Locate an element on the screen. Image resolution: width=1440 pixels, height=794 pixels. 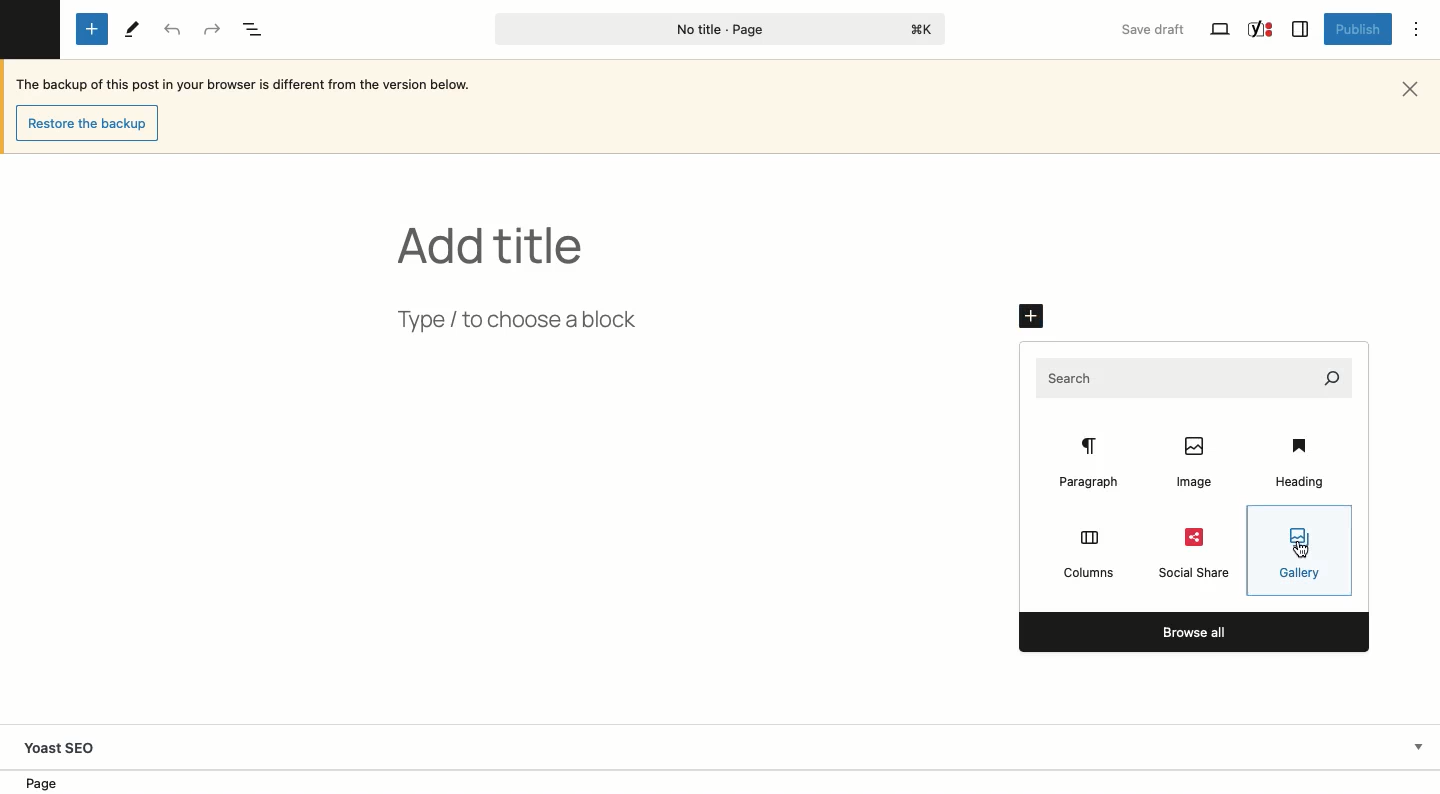
Page is located at coordinates (714, 30).